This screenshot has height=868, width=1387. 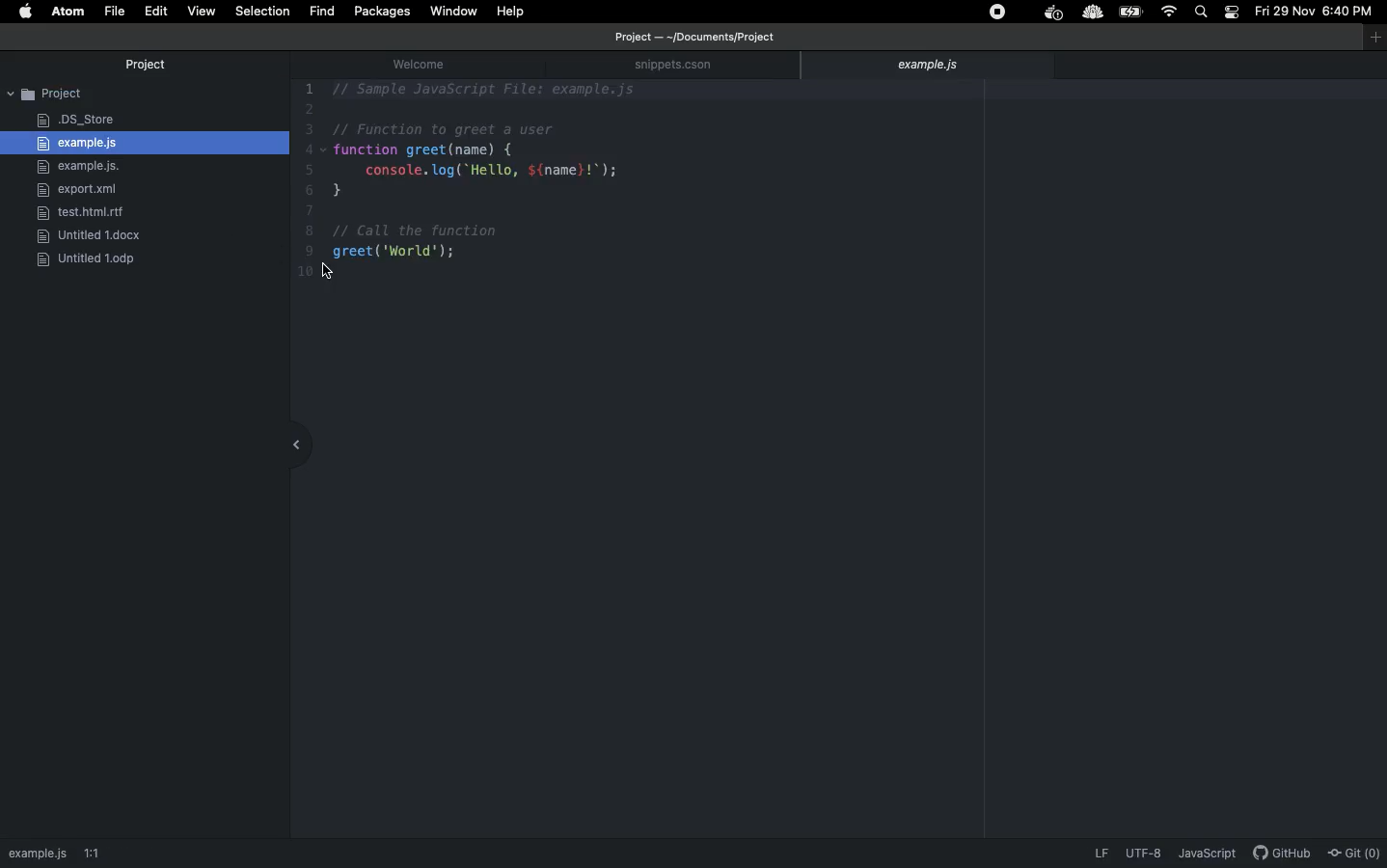 What do you see at coordinates (329, 272) in the screenshot?
I see `cursor` at bounding box center [329, 272].